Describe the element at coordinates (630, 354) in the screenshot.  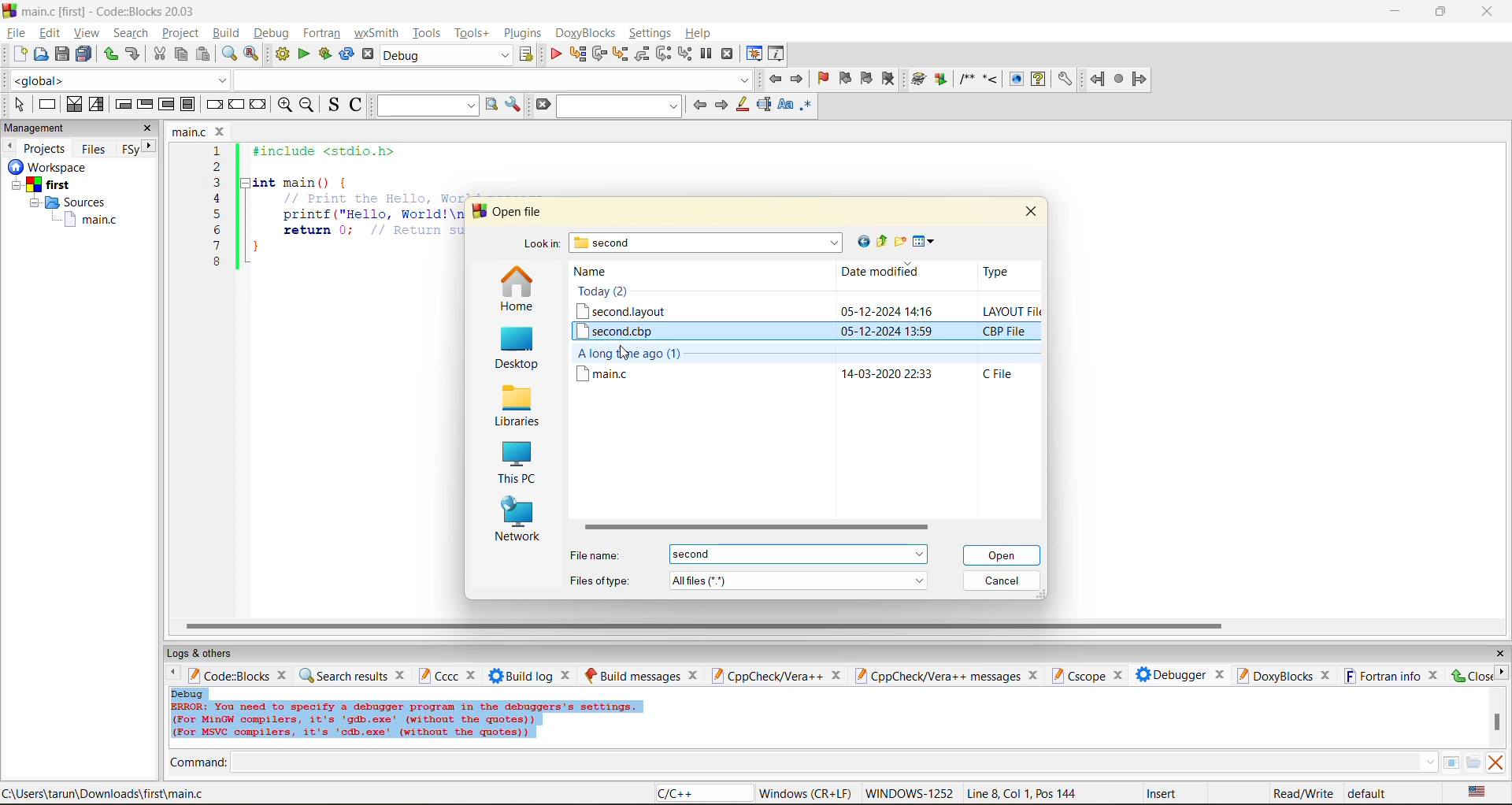
I see `A long time ago(1)` at that location.